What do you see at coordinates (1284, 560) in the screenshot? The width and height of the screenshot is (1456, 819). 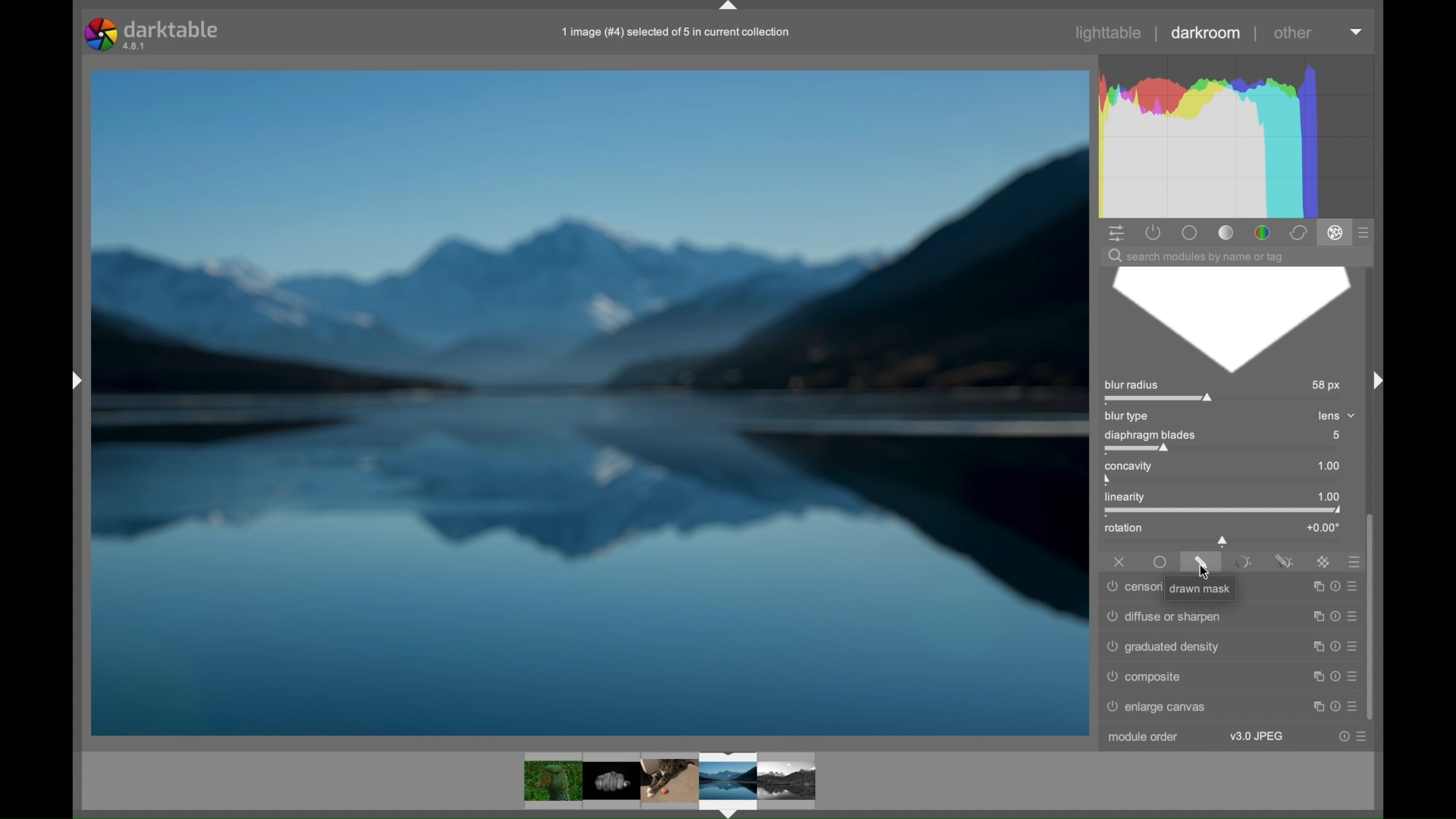 I see `drawn and parametric mask` at bounding box center [1284, 560].